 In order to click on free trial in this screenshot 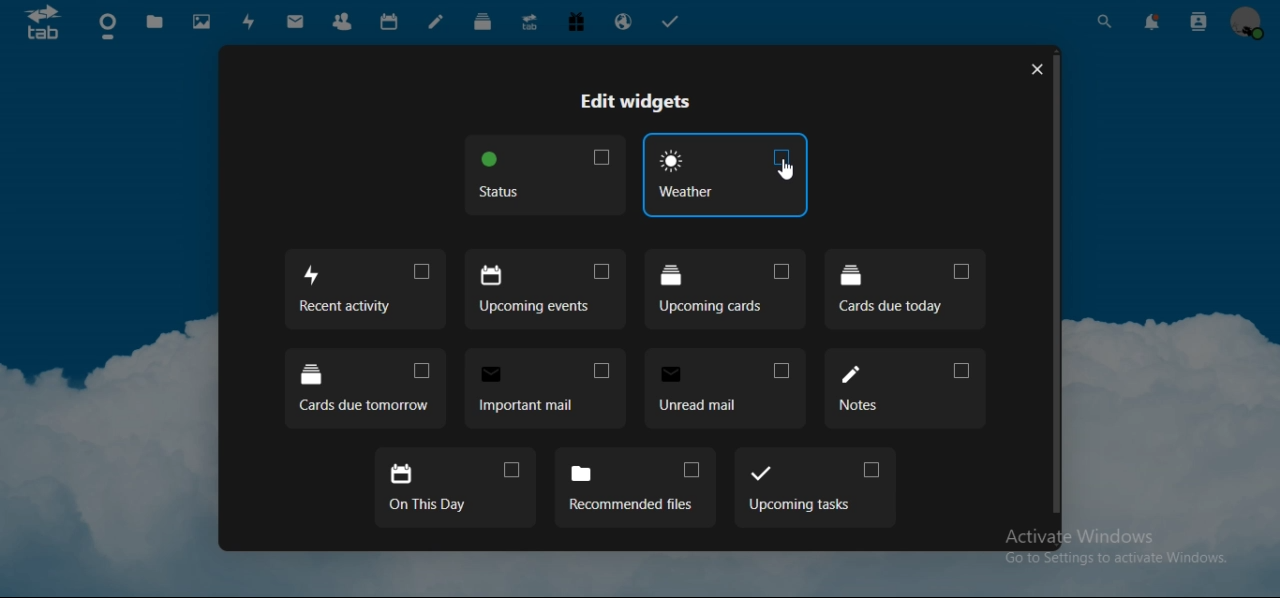, I will do `click(578, 22)`.